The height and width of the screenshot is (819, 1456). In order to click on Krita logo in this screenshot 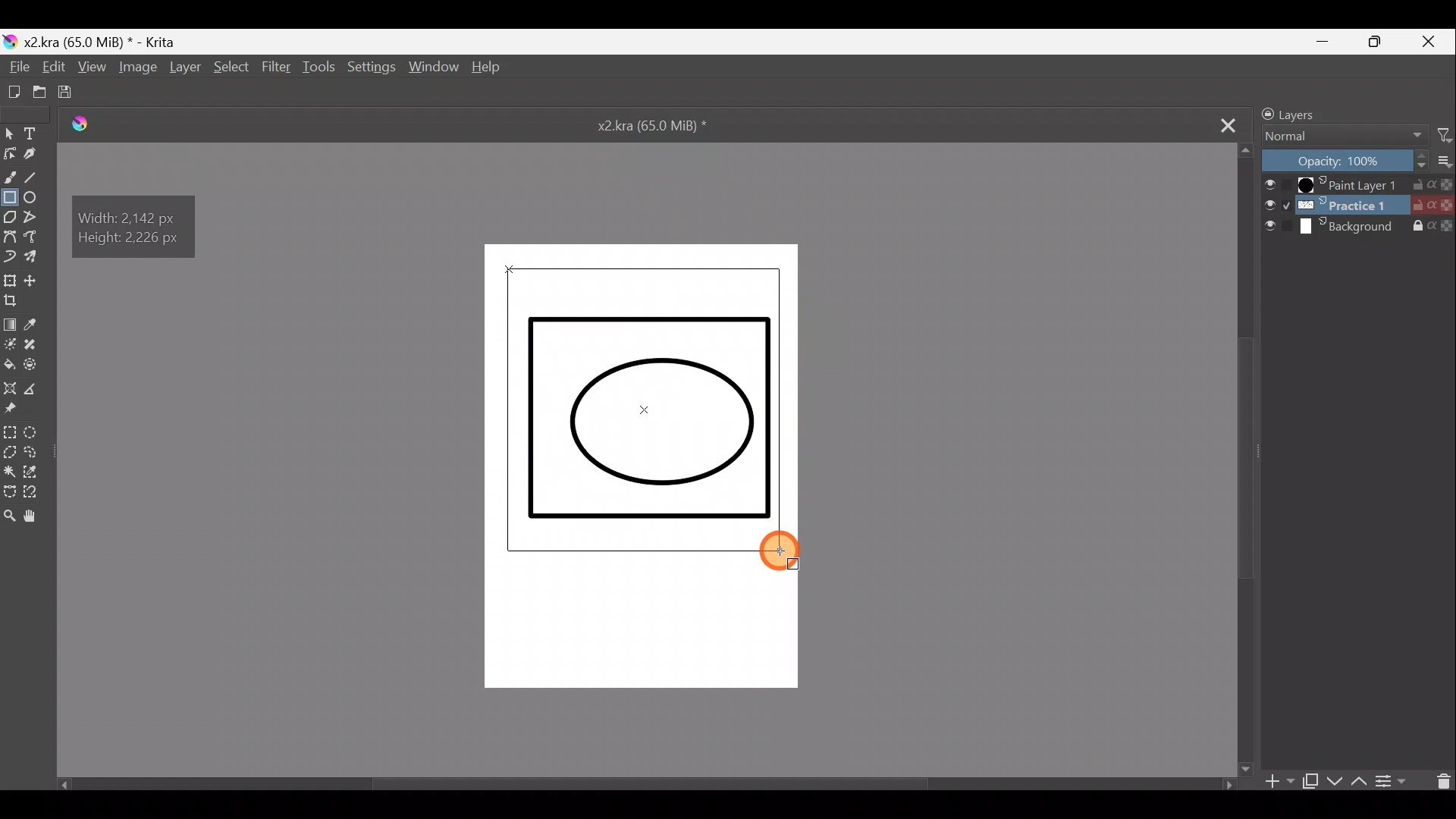, I will do `click(9, 41)`.